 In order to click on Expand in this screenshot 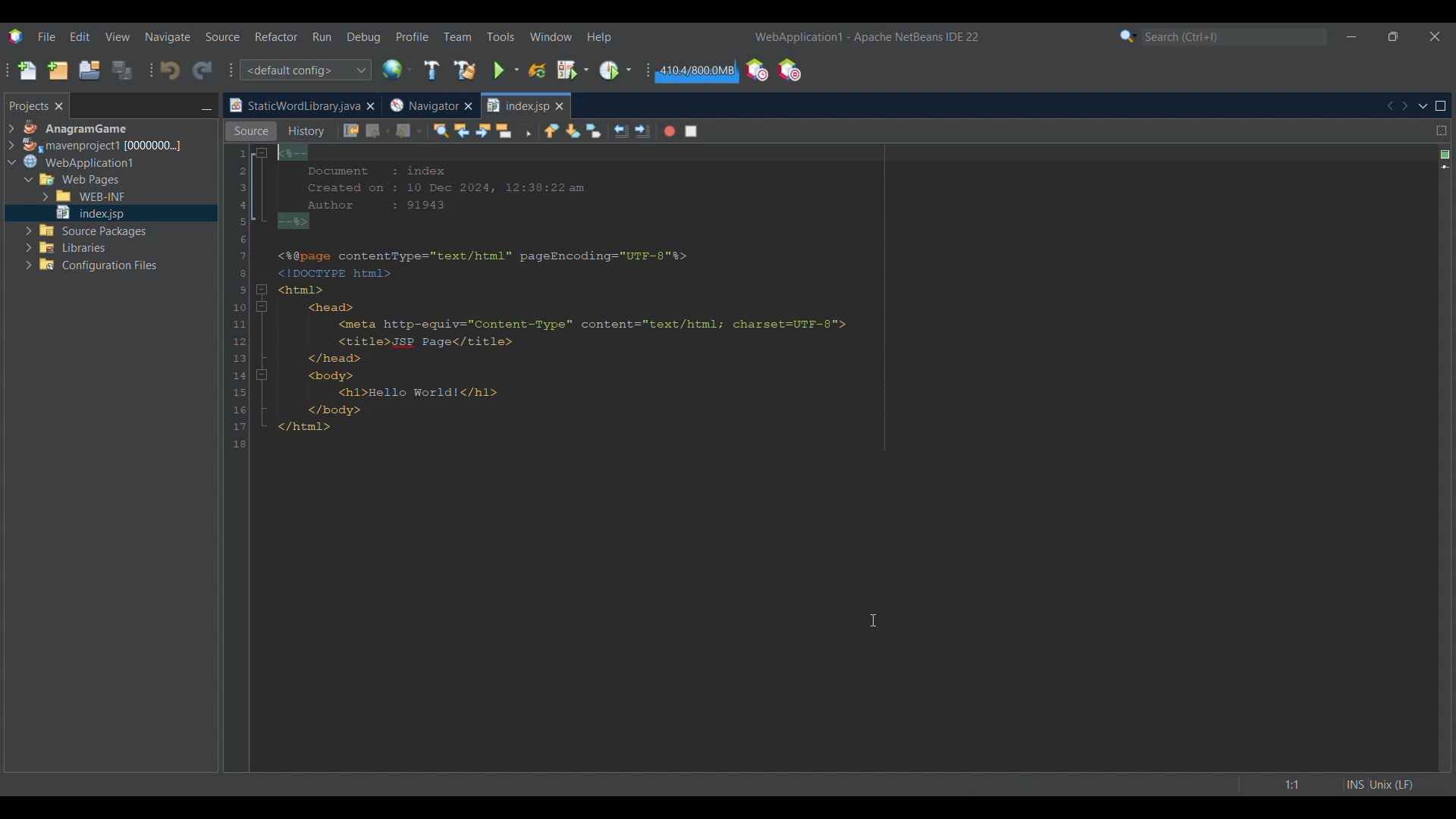, I will do `click(11, 137)`.